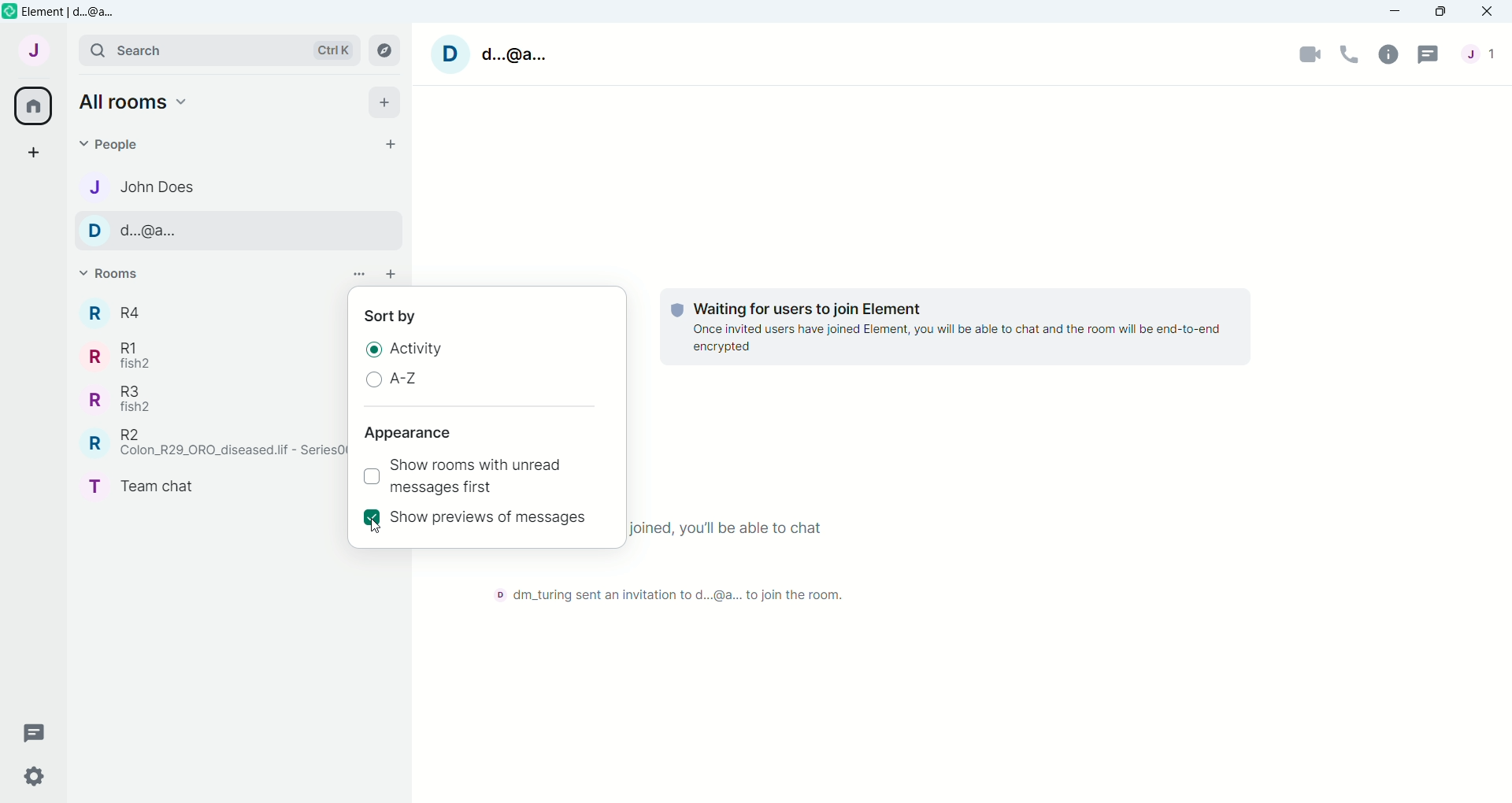 Image resolution: width=1512 pixels, height=803 pixels. Describe the element at coordinates (9, 11) in the screenshot. I see `Element icon` at that location.